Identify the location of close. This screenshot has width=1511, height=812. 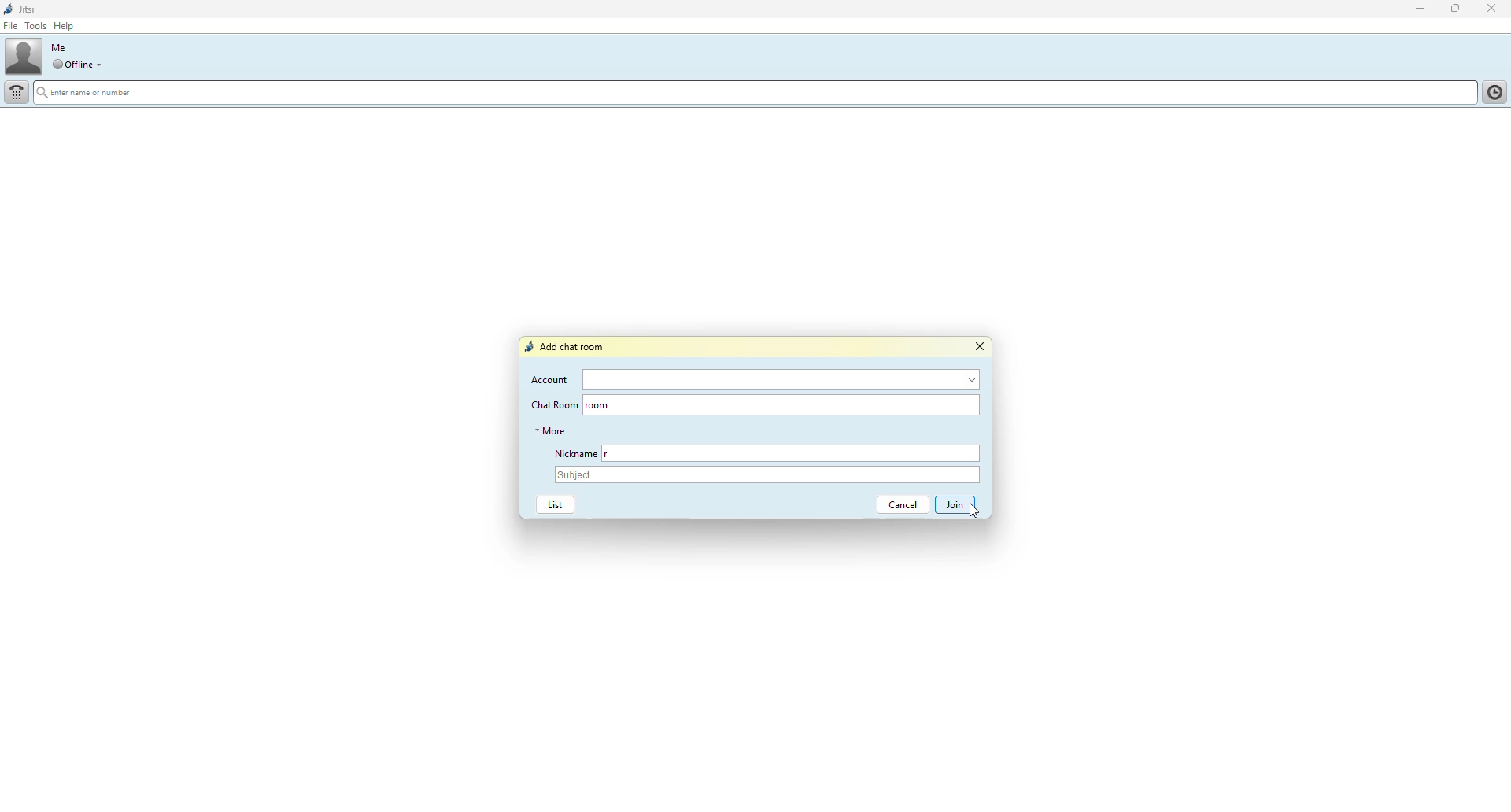
(980, 347).